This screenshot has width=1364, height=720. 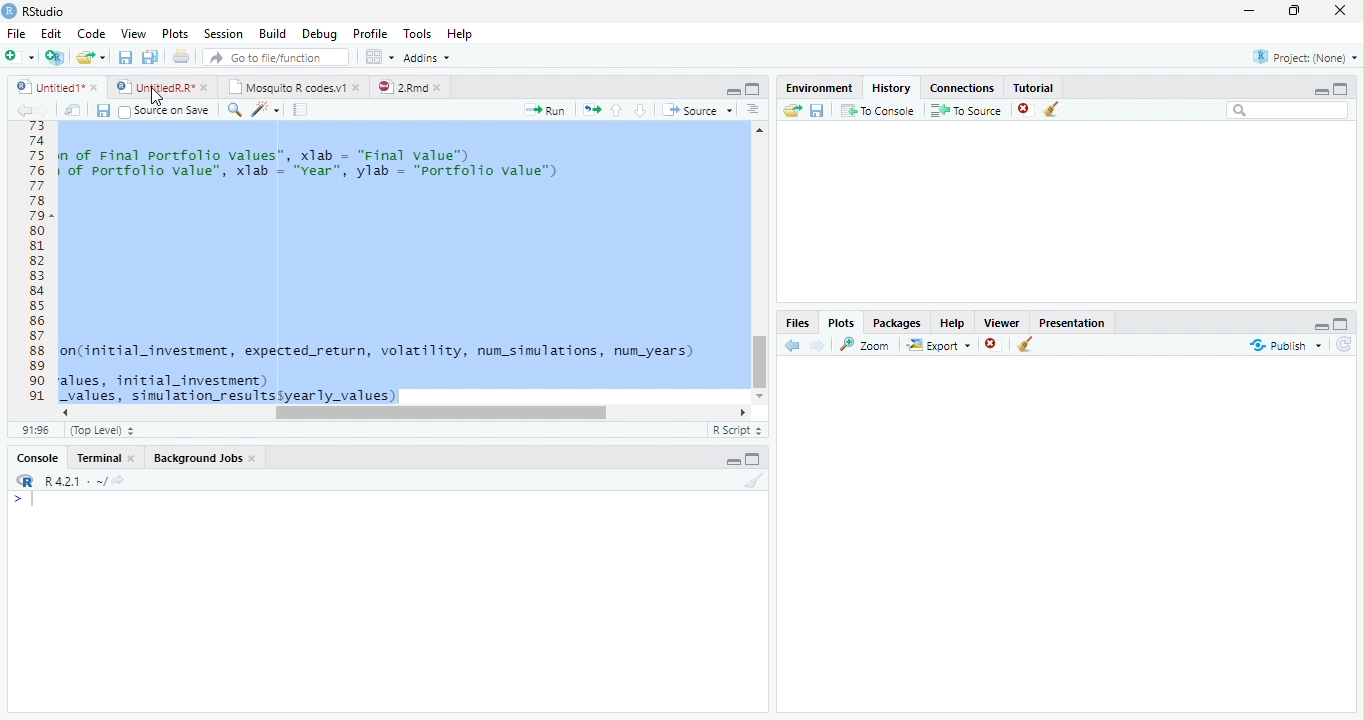 What do you see at coordinates (155, 97) in the screenshot?
I see `Mouse Cursor` at bounding box center [155, 97].